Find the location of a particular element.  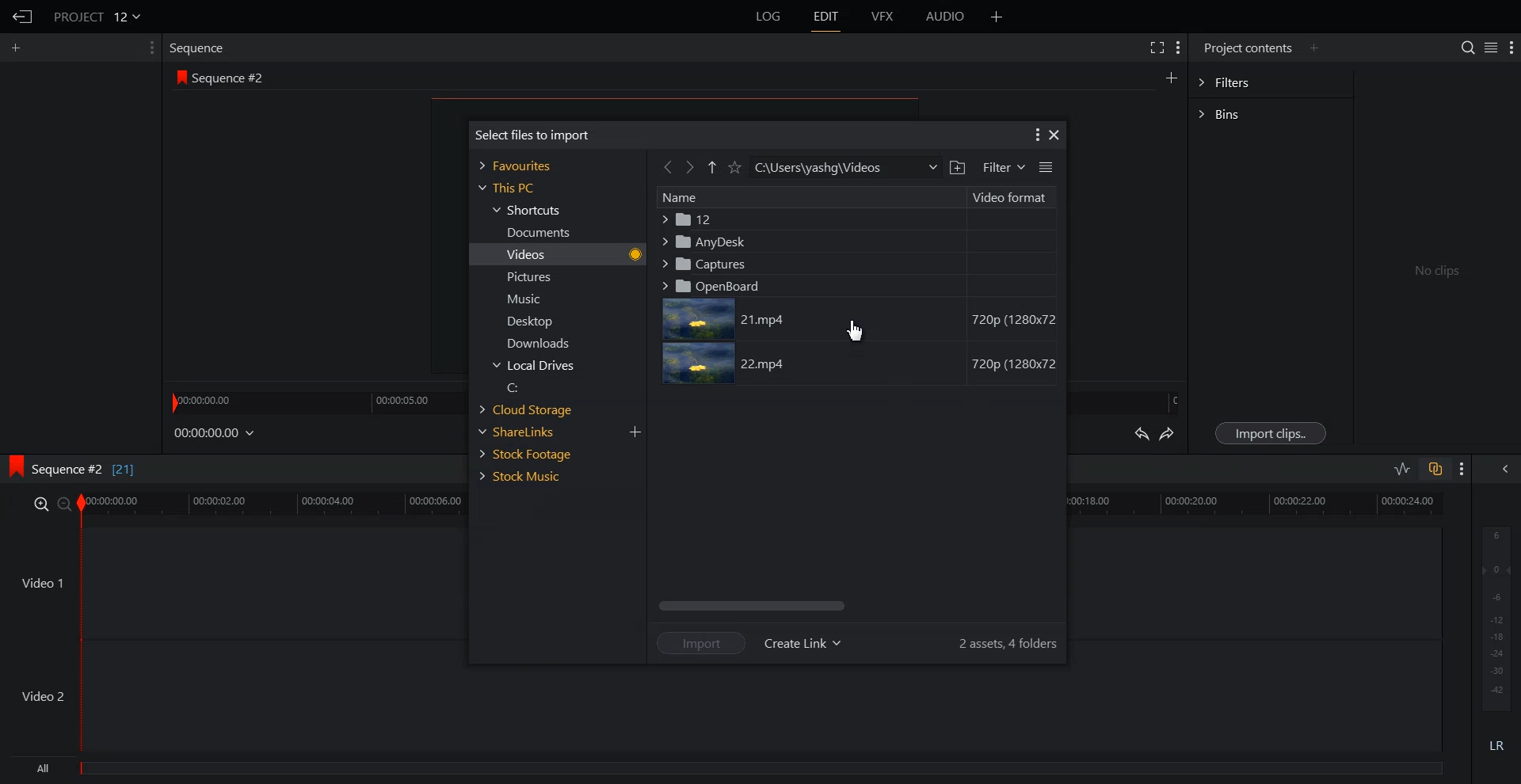

LOG is located at coordinates (769, 17).